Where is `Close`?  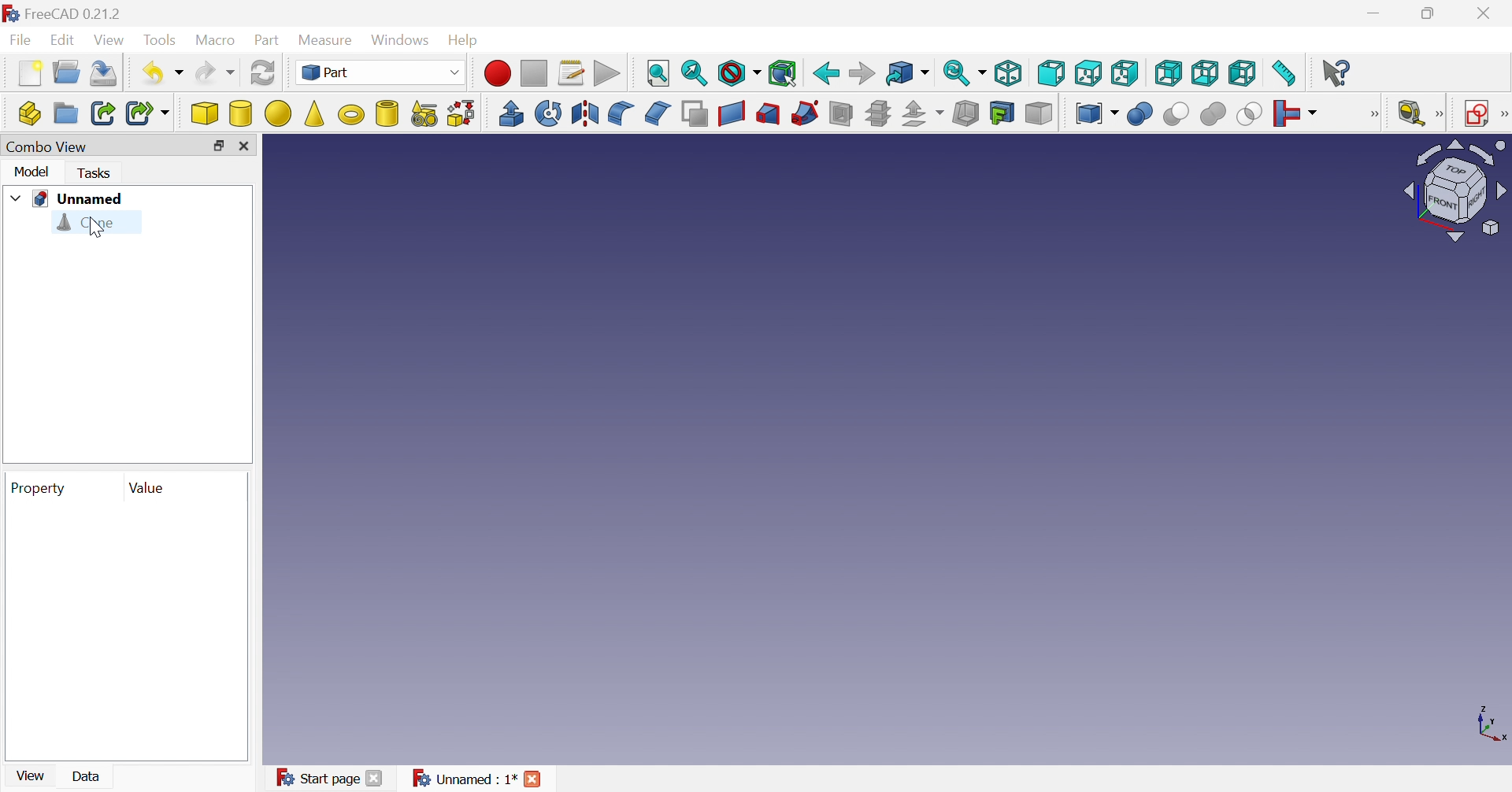 Close is located at coordinates (246, 146).